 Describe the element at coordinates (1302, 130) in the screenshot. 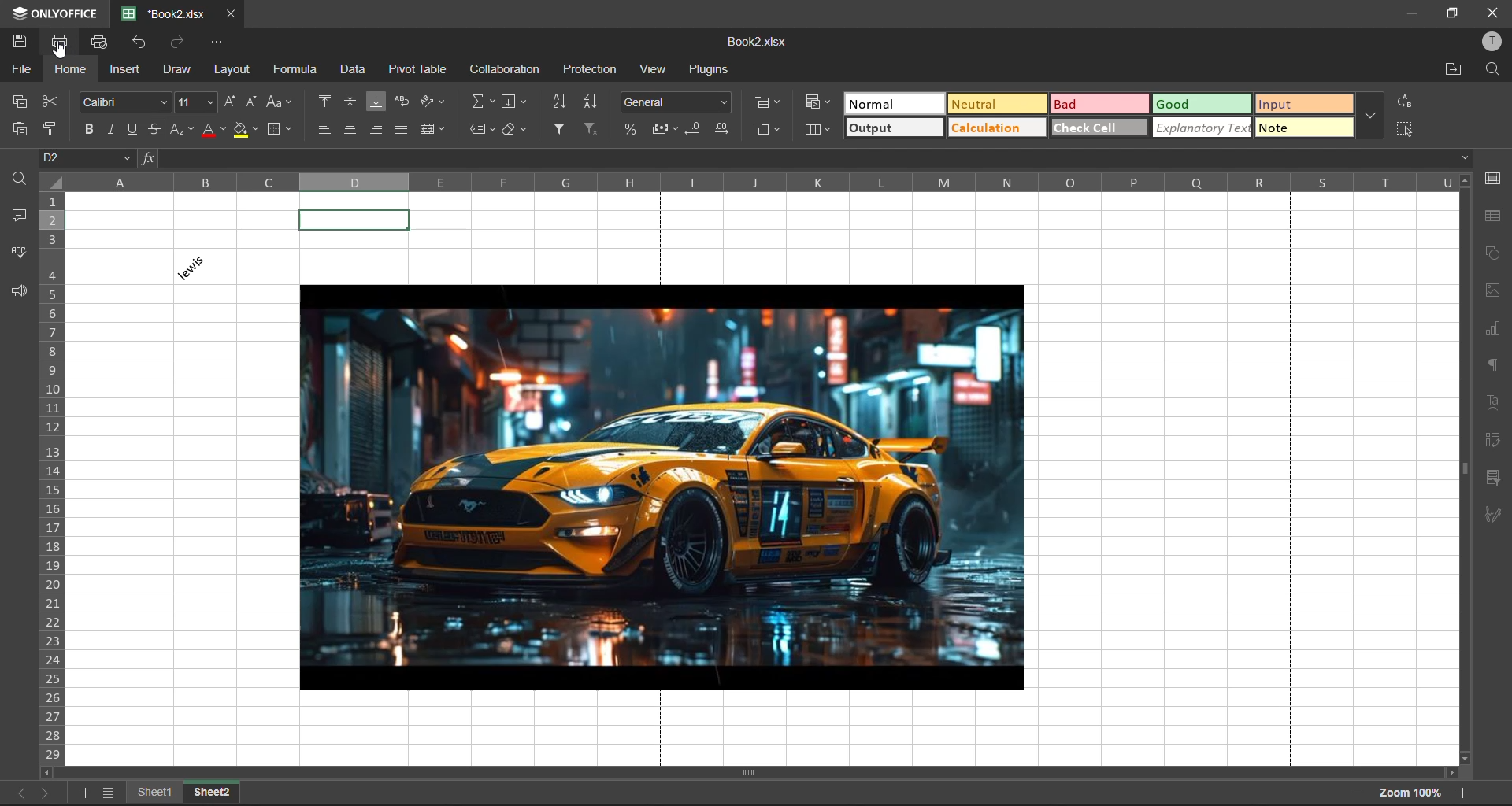

I see `note` at that location.